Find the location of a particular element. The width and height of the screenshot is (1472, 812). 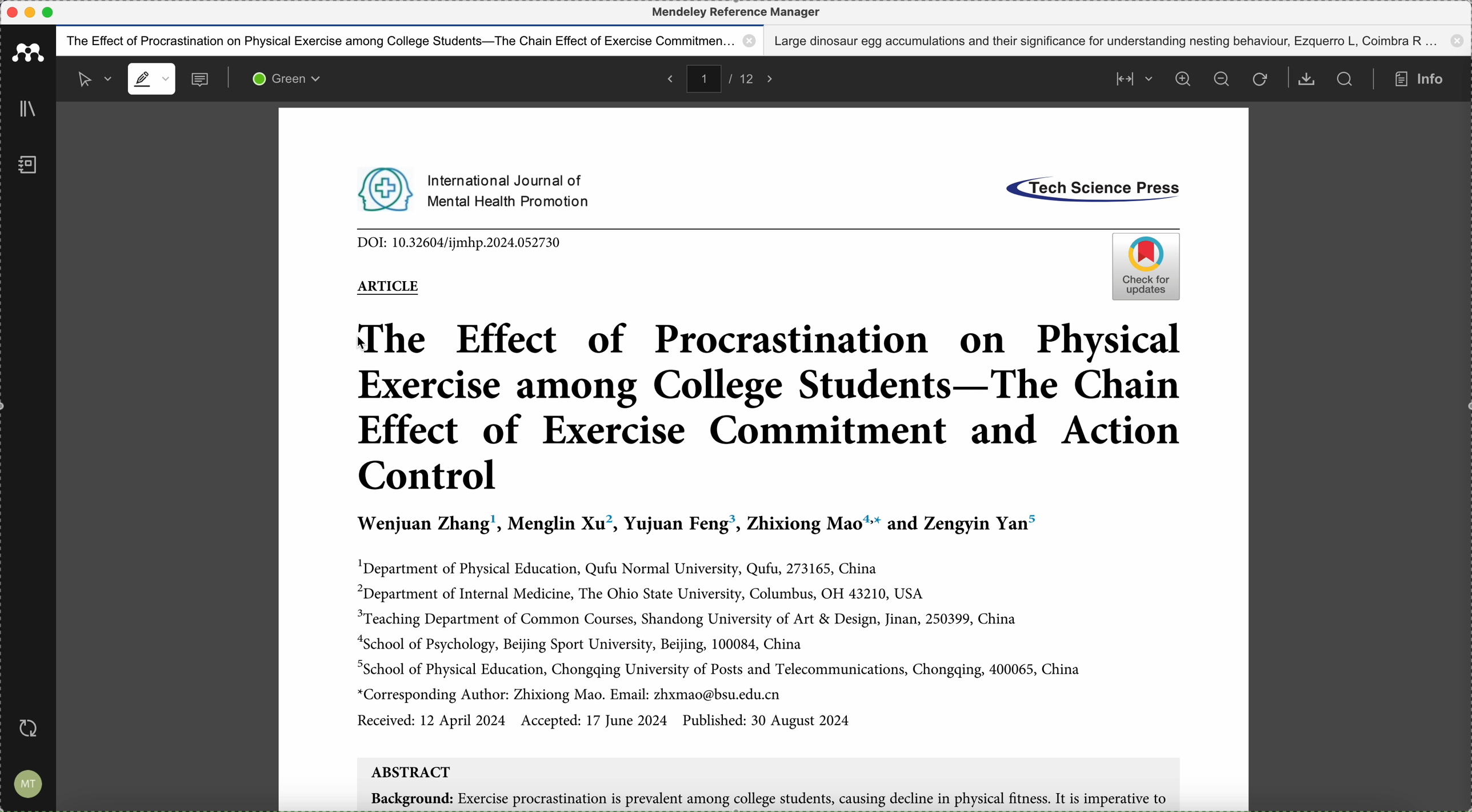

minimize is located at coordinates (33, 12).